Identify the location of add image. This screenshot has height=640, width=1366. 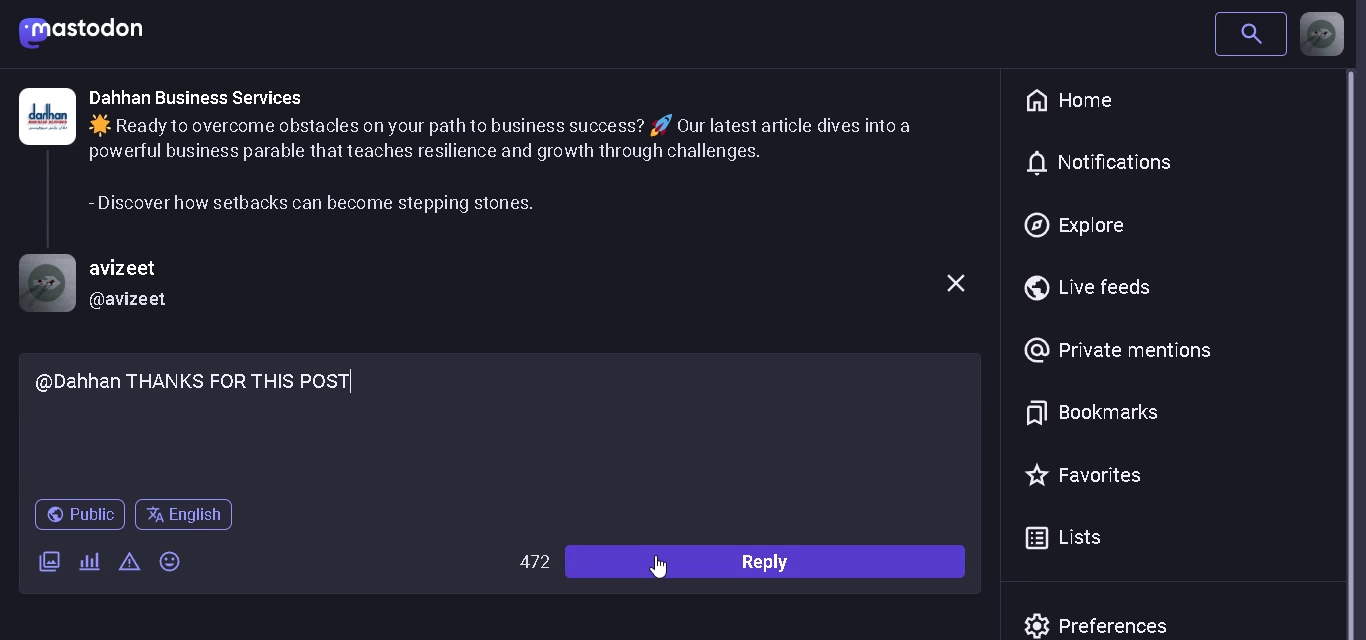
(50, 558).